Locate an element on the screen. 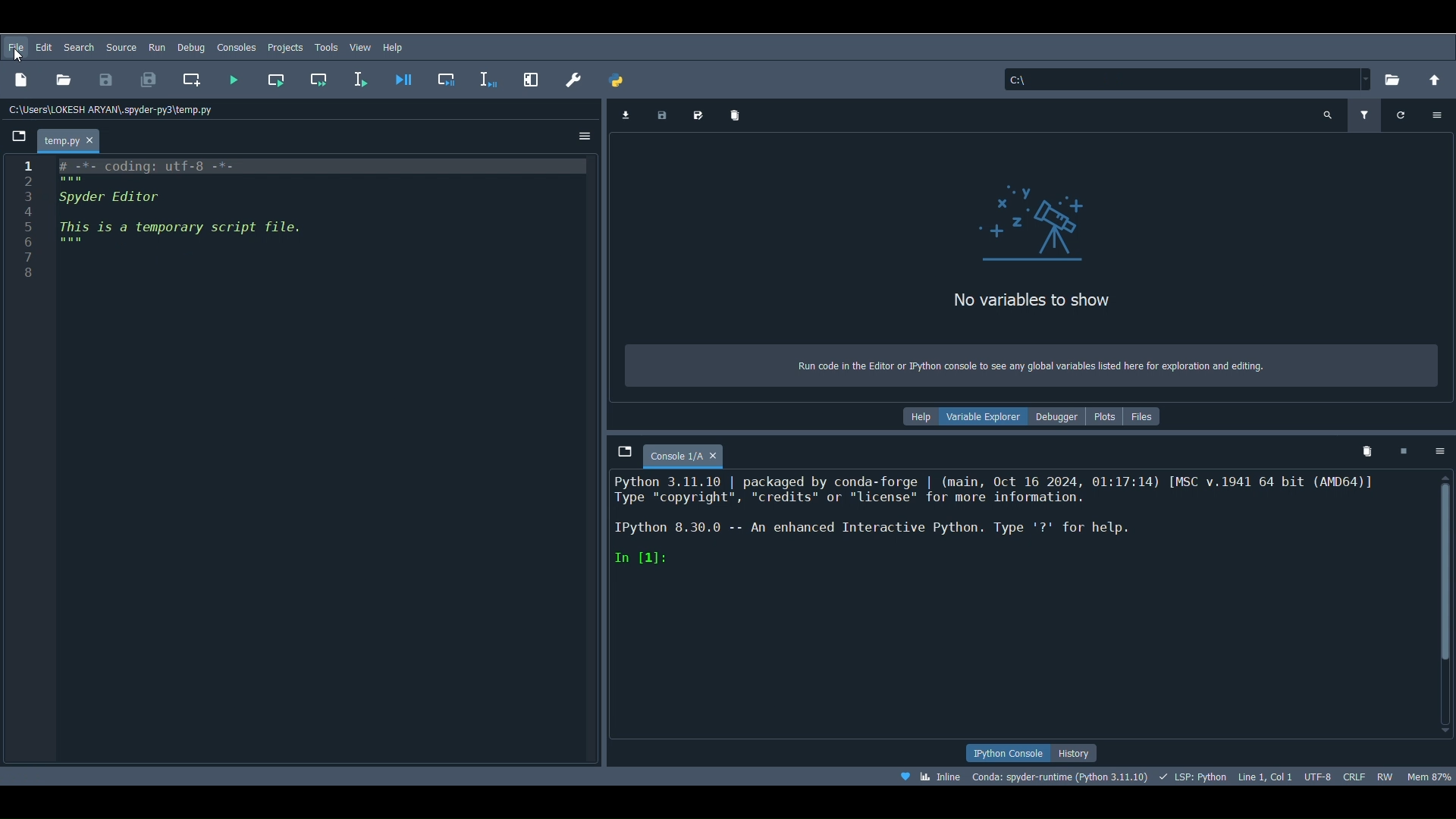  Run file (F5) is located at coordinates (231, 77).